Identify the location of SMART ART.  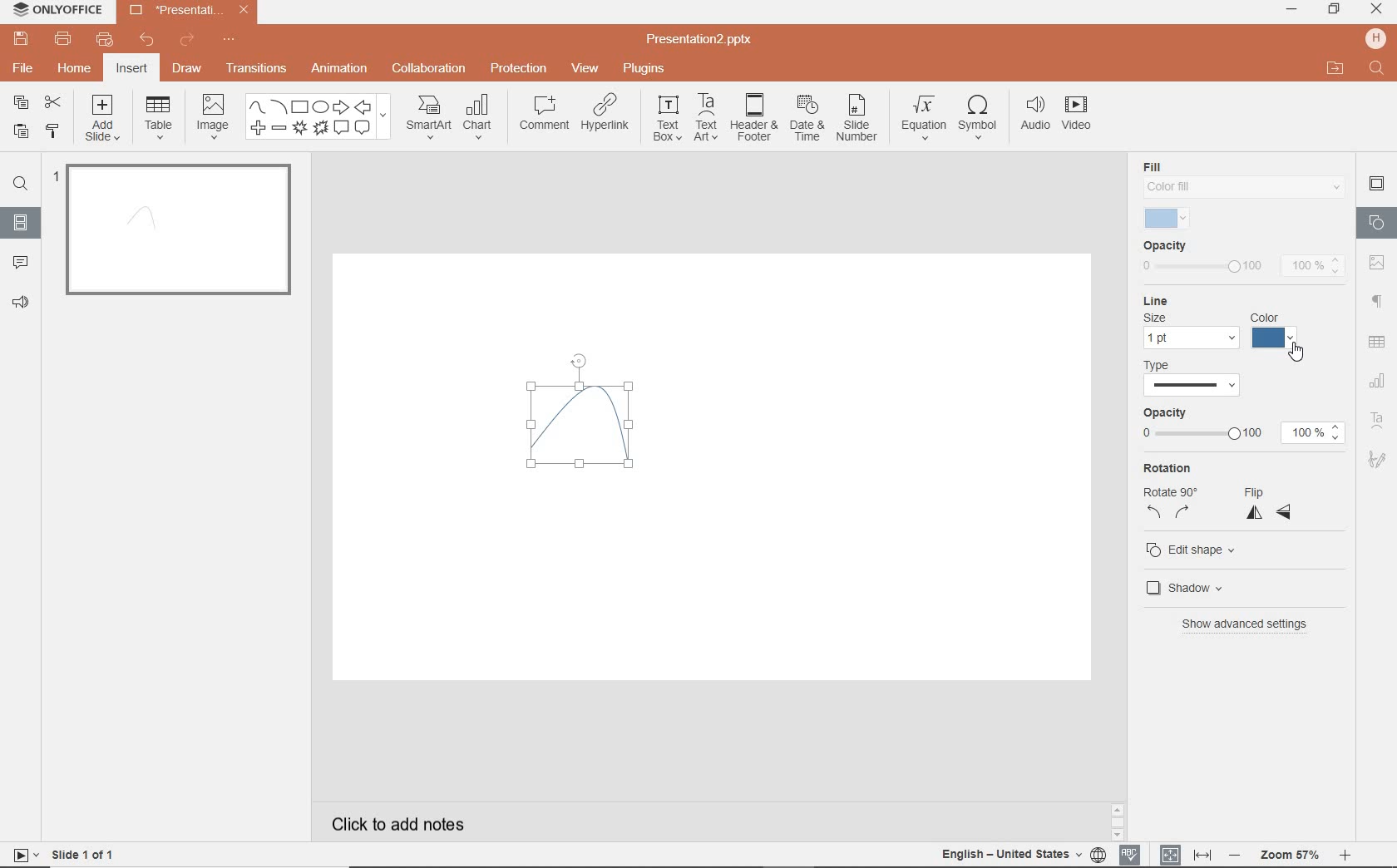
(427, 119).